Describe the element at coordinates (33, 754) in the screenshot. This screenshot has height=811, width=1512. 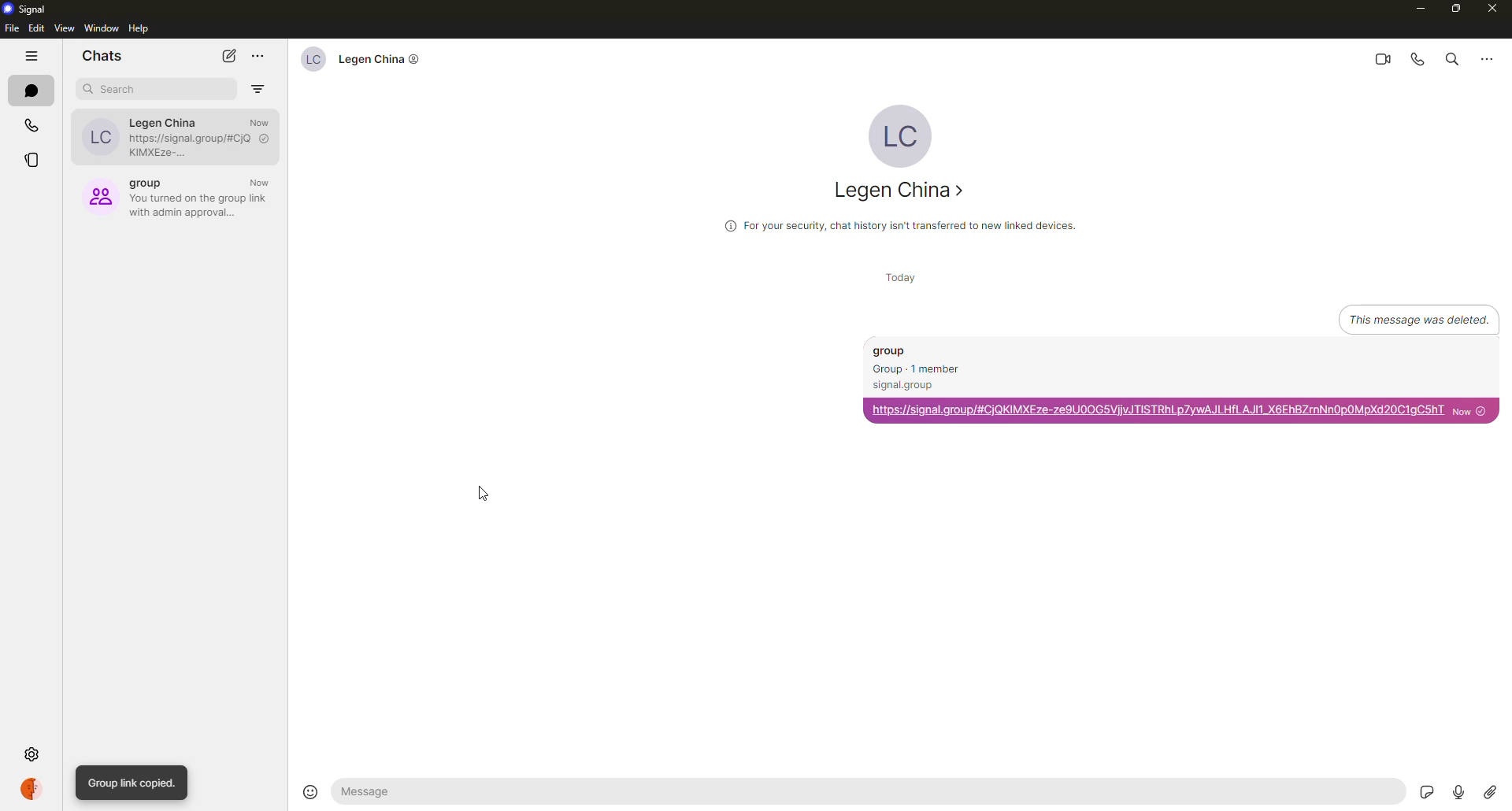
I see `settings` at that location.